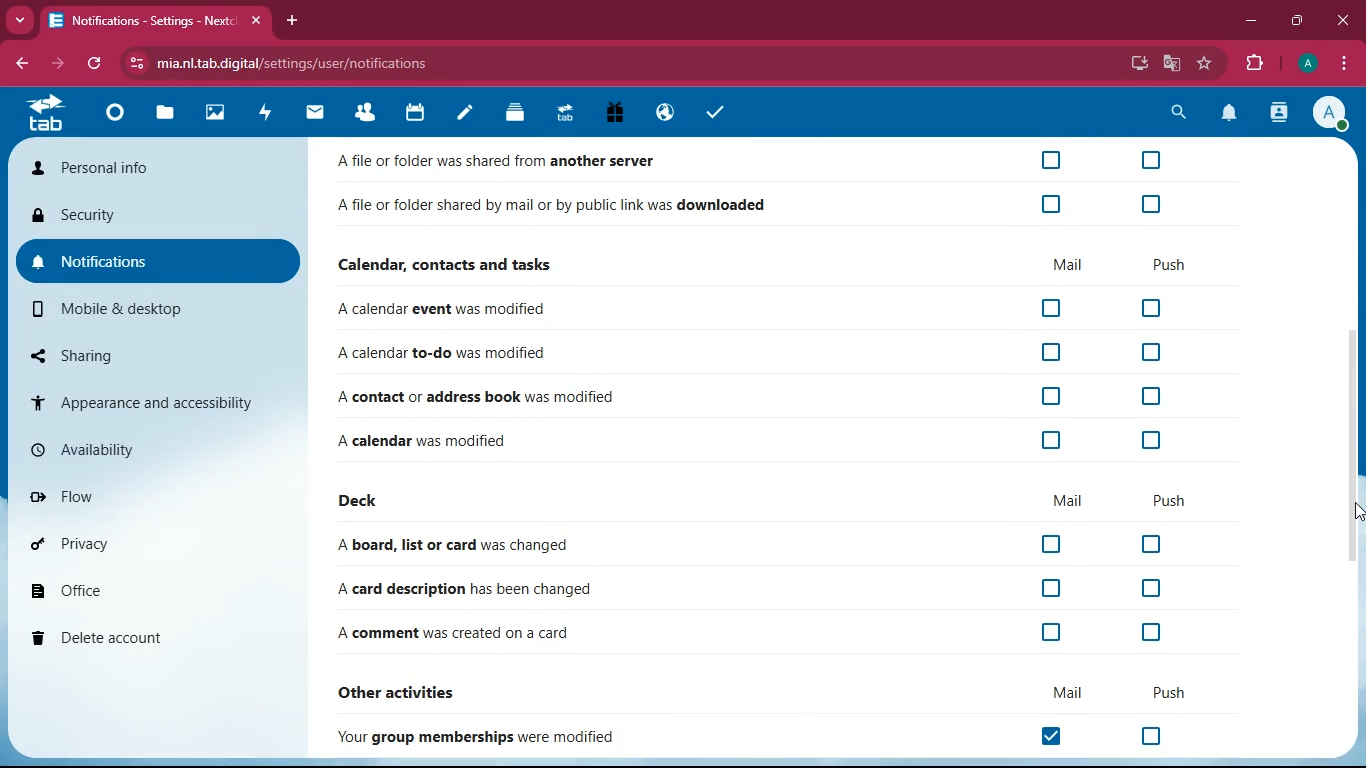 This screenshot has width=1366, height=768. I want to click on tasks, so click(712, 112).